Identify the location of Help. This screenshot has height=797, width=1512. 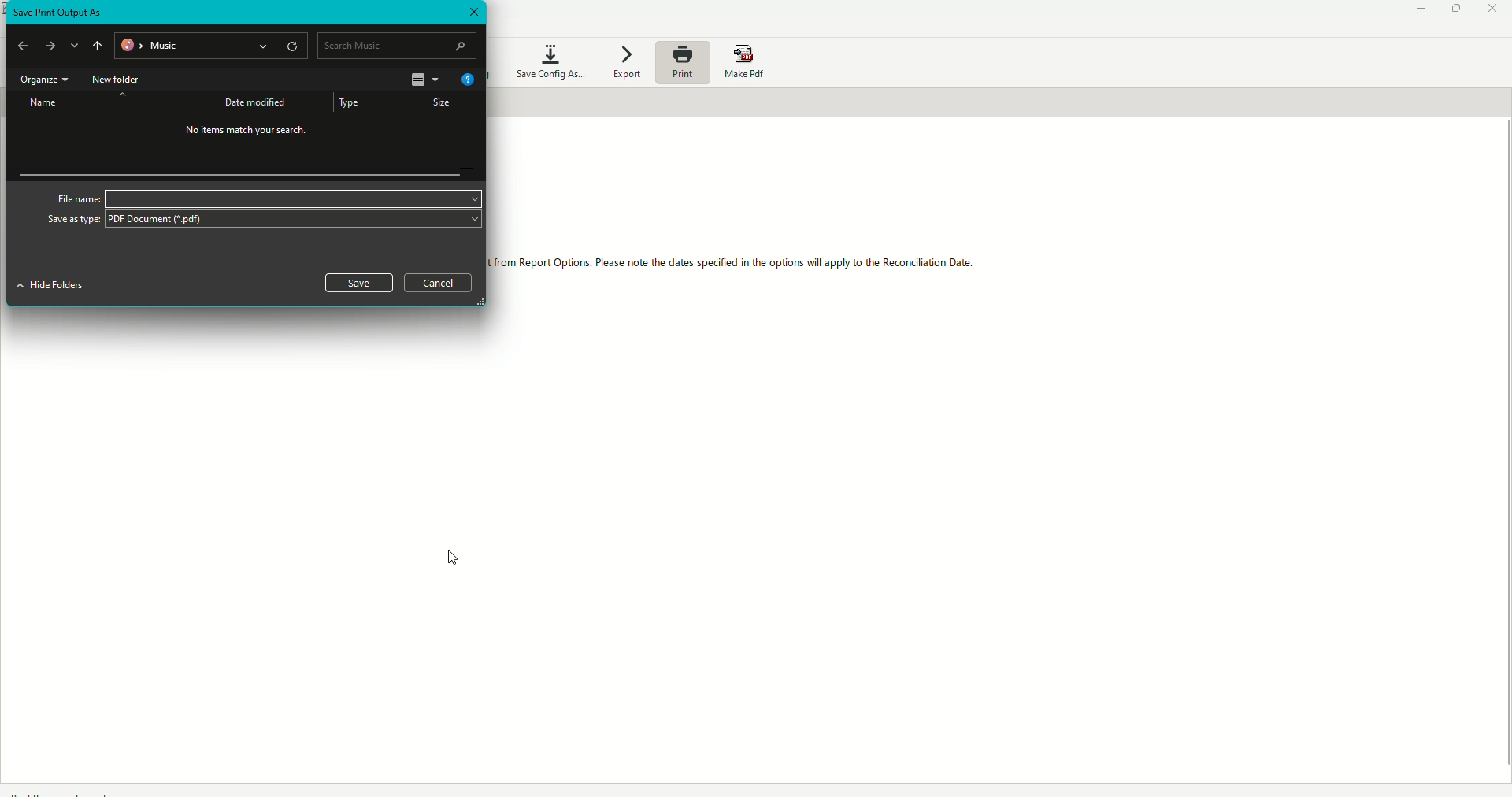
(467, 81).